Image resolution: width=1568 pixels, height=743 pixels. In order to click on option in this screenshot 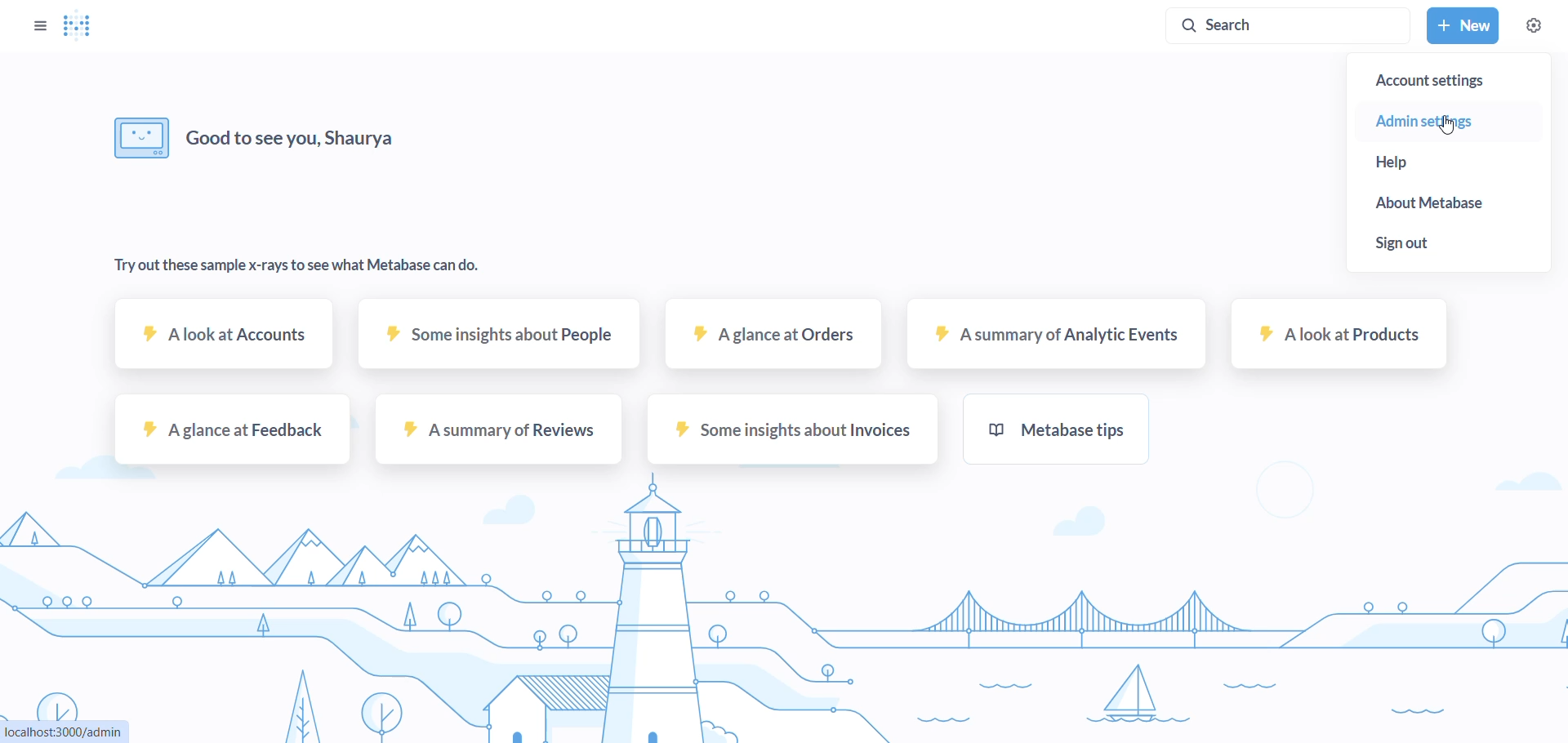, I will do `click(41, 28)`.